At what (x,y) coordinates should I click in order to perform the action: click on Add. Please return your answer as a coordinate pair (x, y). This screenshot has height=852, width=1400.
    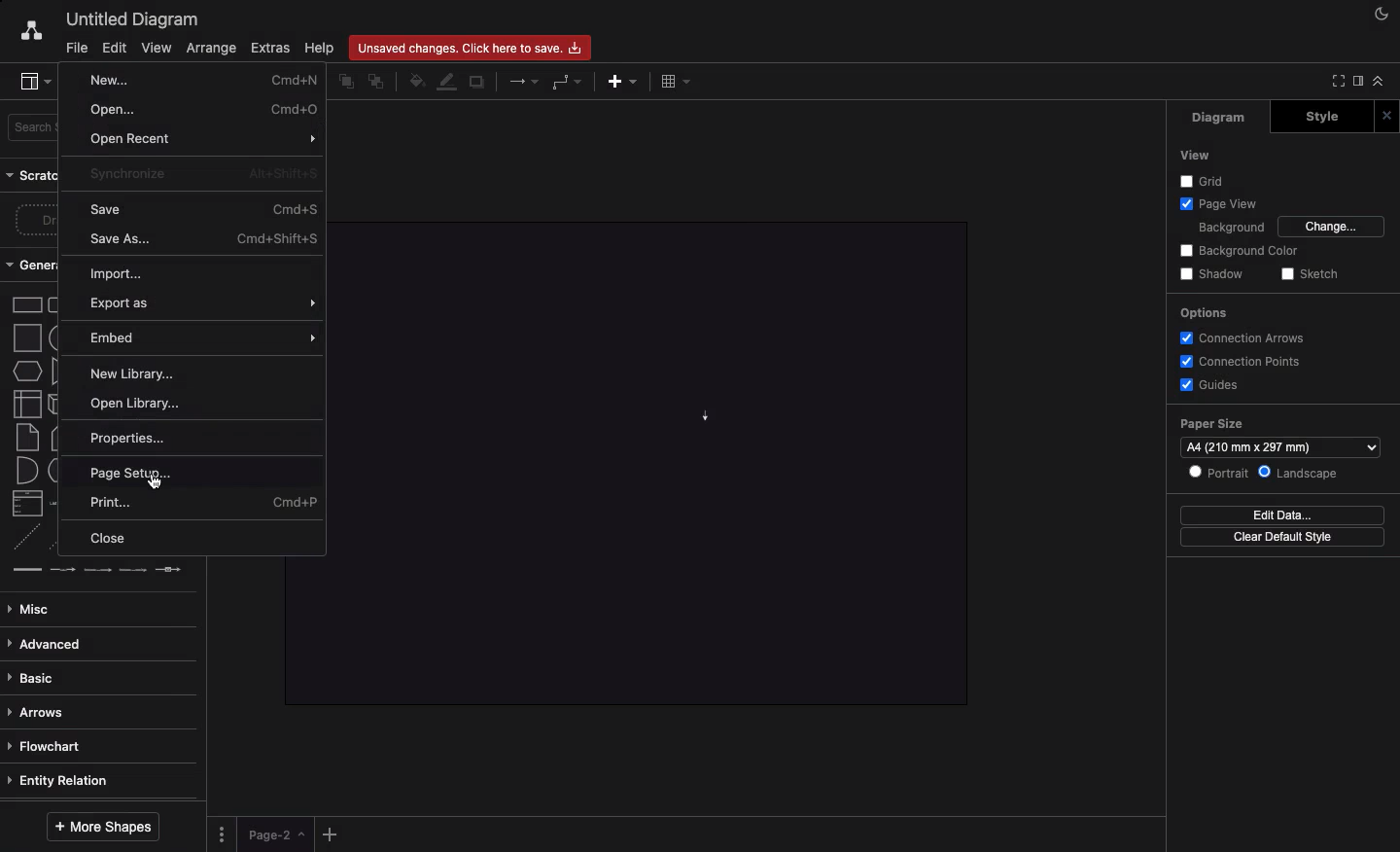
    Looking at the image, I should click on (332, 831).